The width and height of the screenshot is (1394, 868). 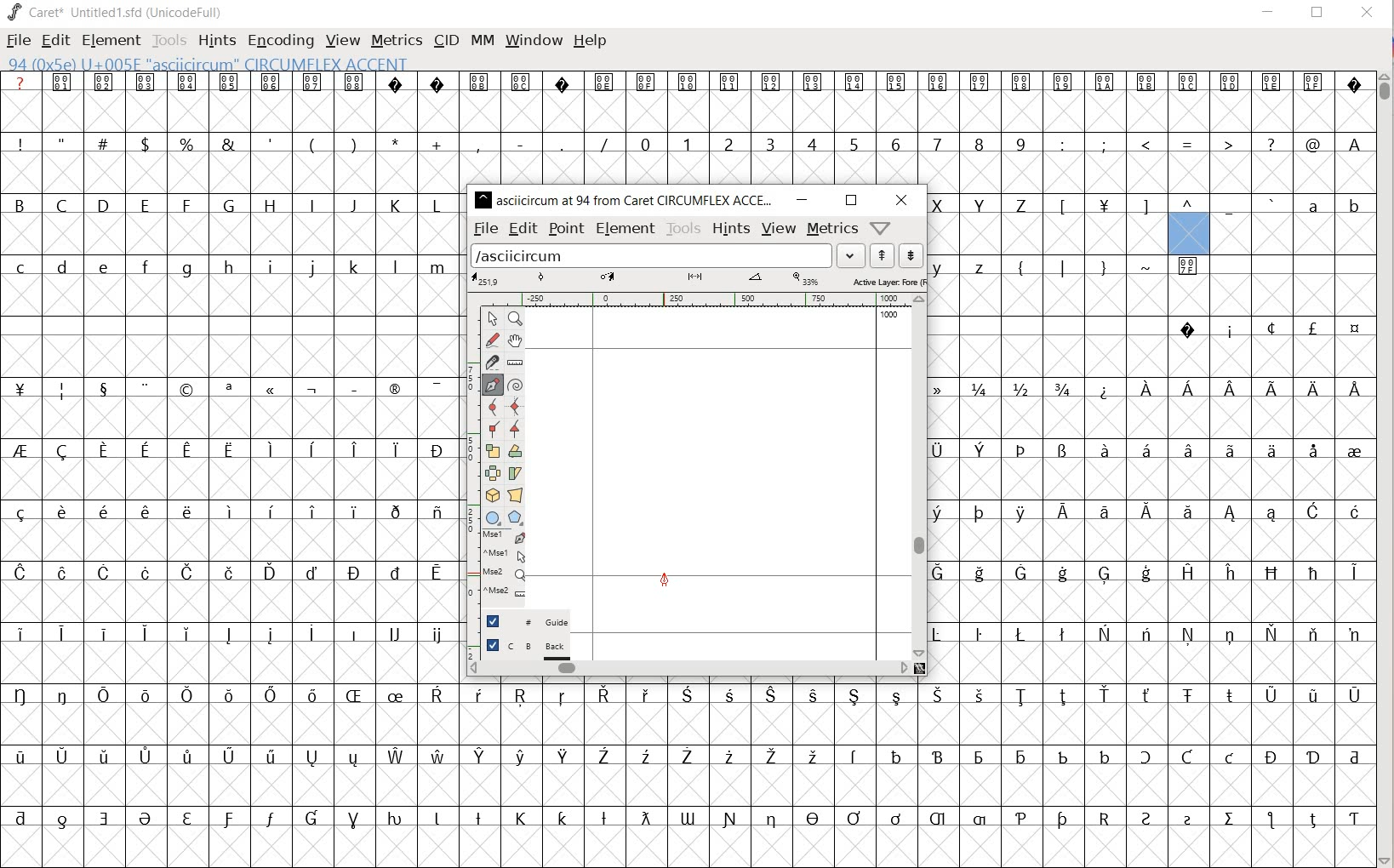 What do you see at coordinates (663, 579) in the screenshot?
I see `feltpen tool/cursor location` at bounding box center [663, 579].